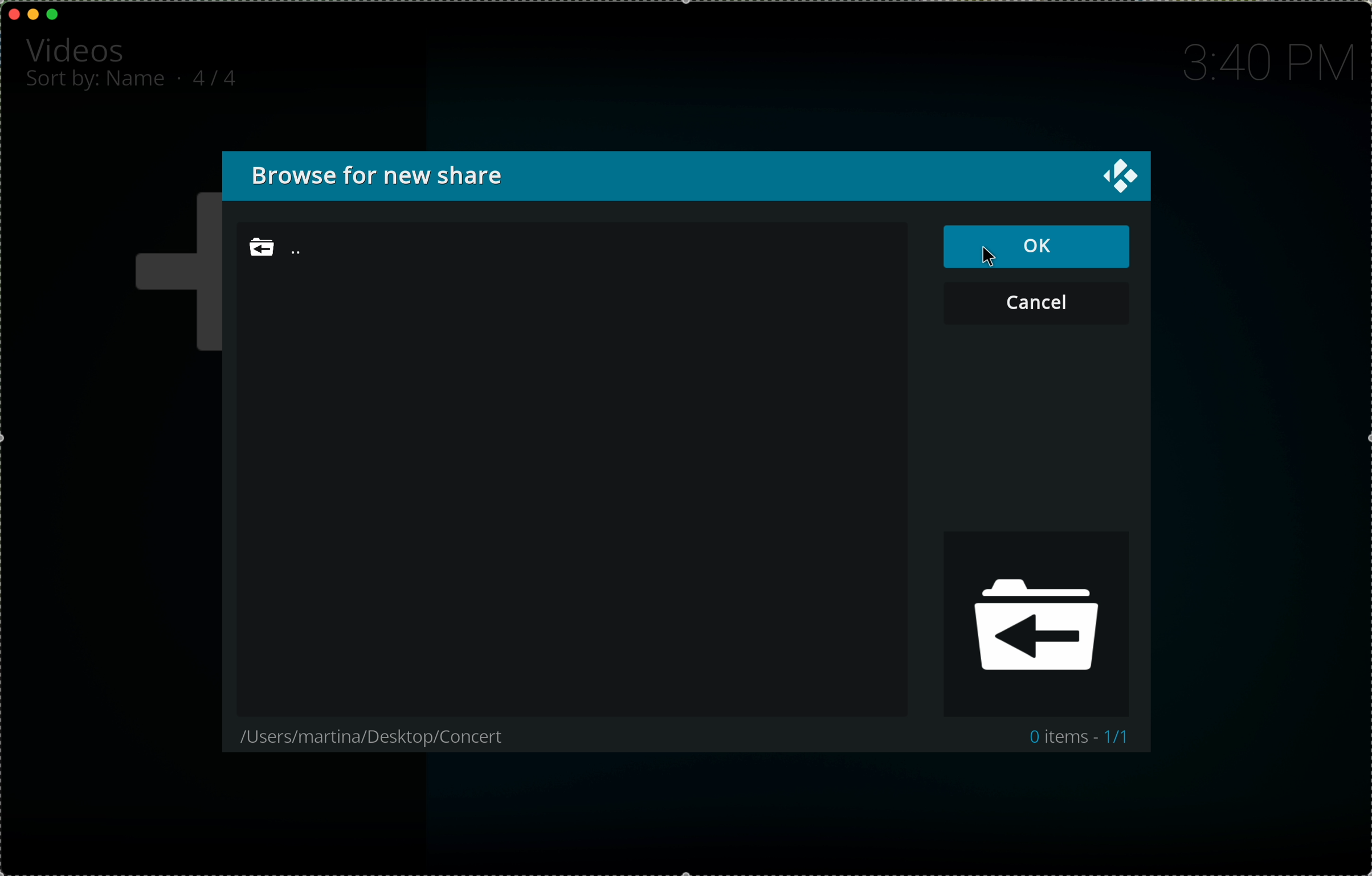 The image size is (1372, 876). Describe the element at coordinates (33, 13) in the screenshot. I see `minimise` at that location.